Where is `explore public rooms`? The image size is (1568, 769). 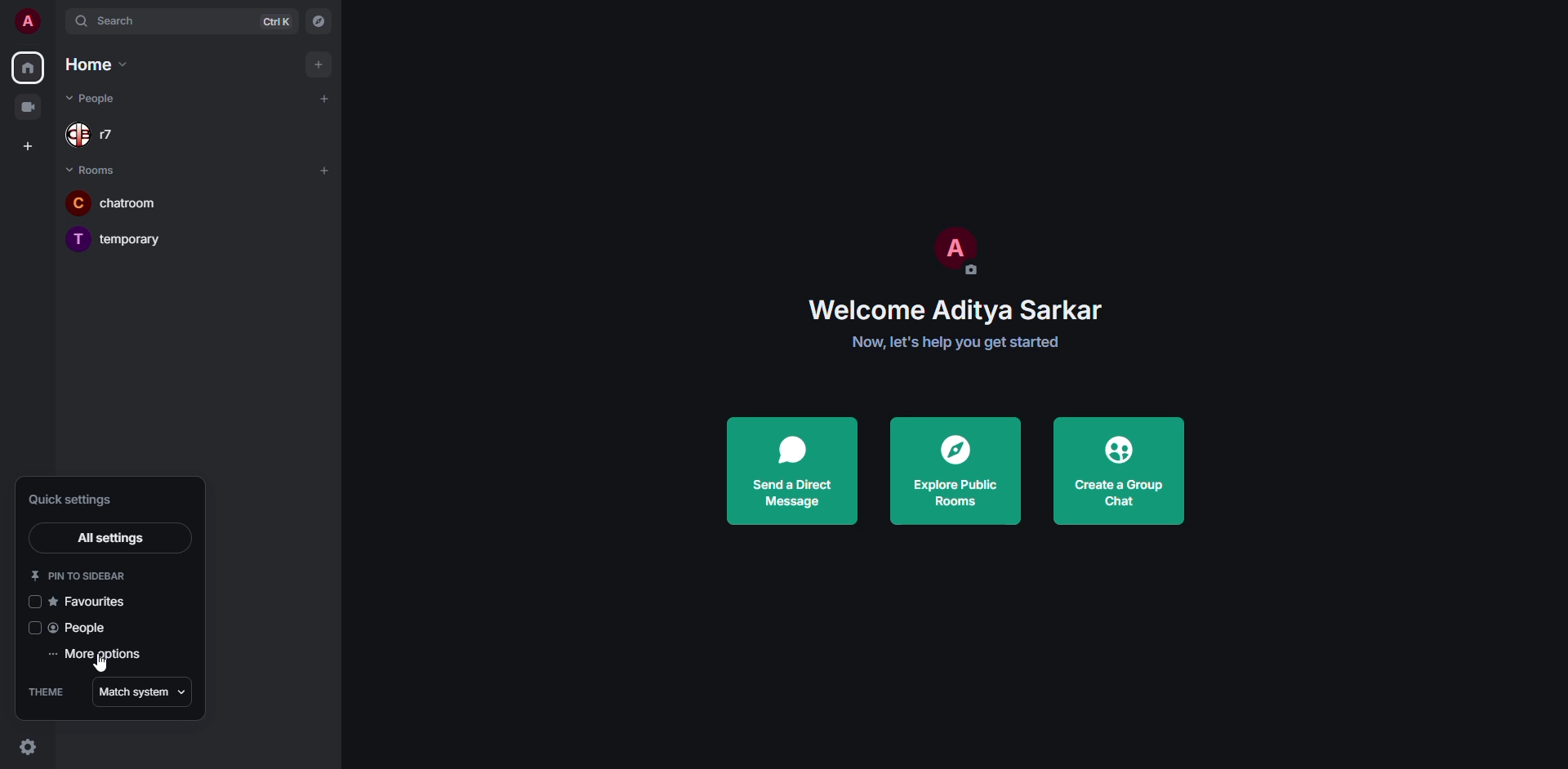 explore public rooms is located at coordinates (953, 471).